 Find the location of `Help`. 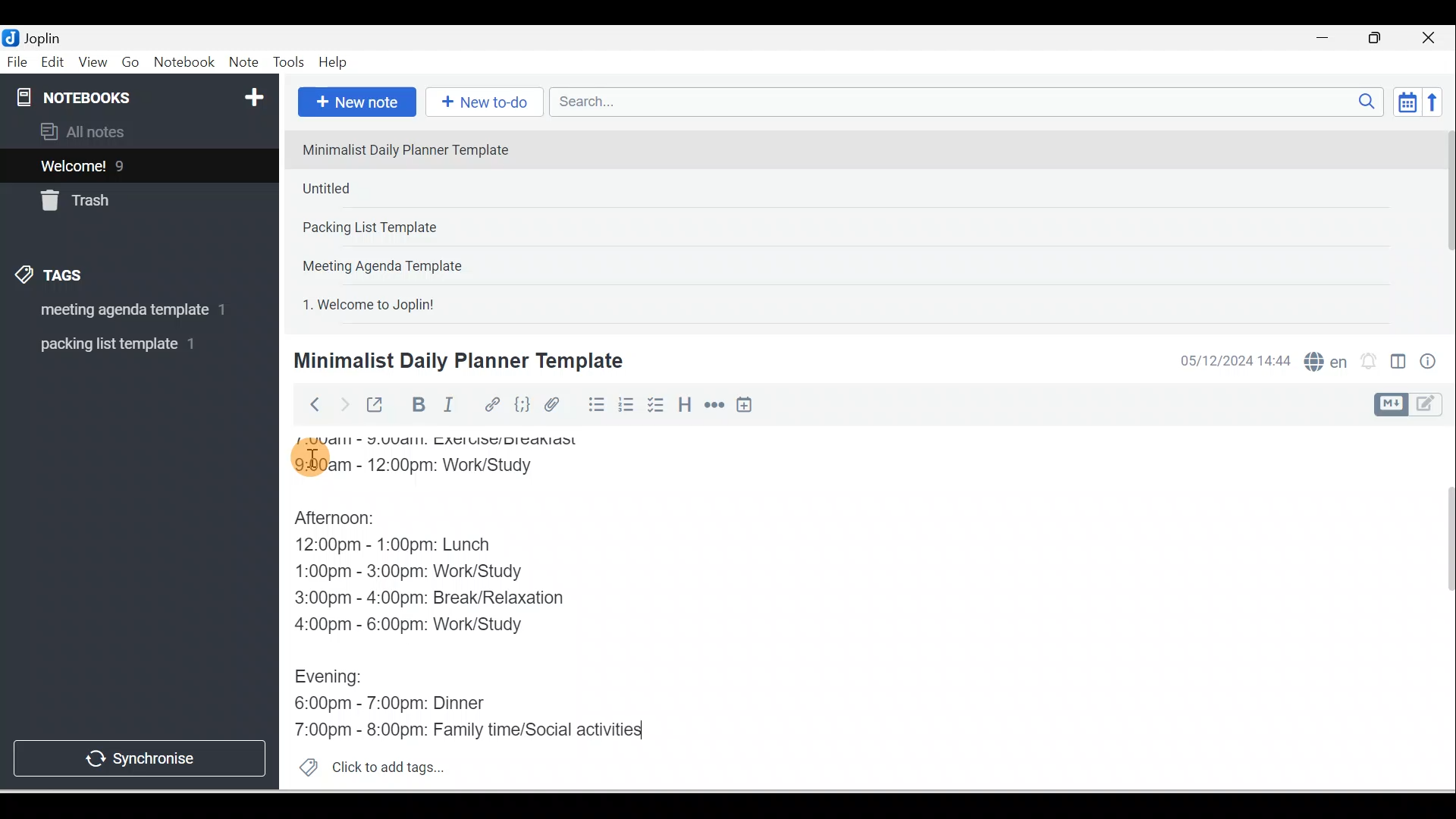

Help is located at coordinates (334, 63).